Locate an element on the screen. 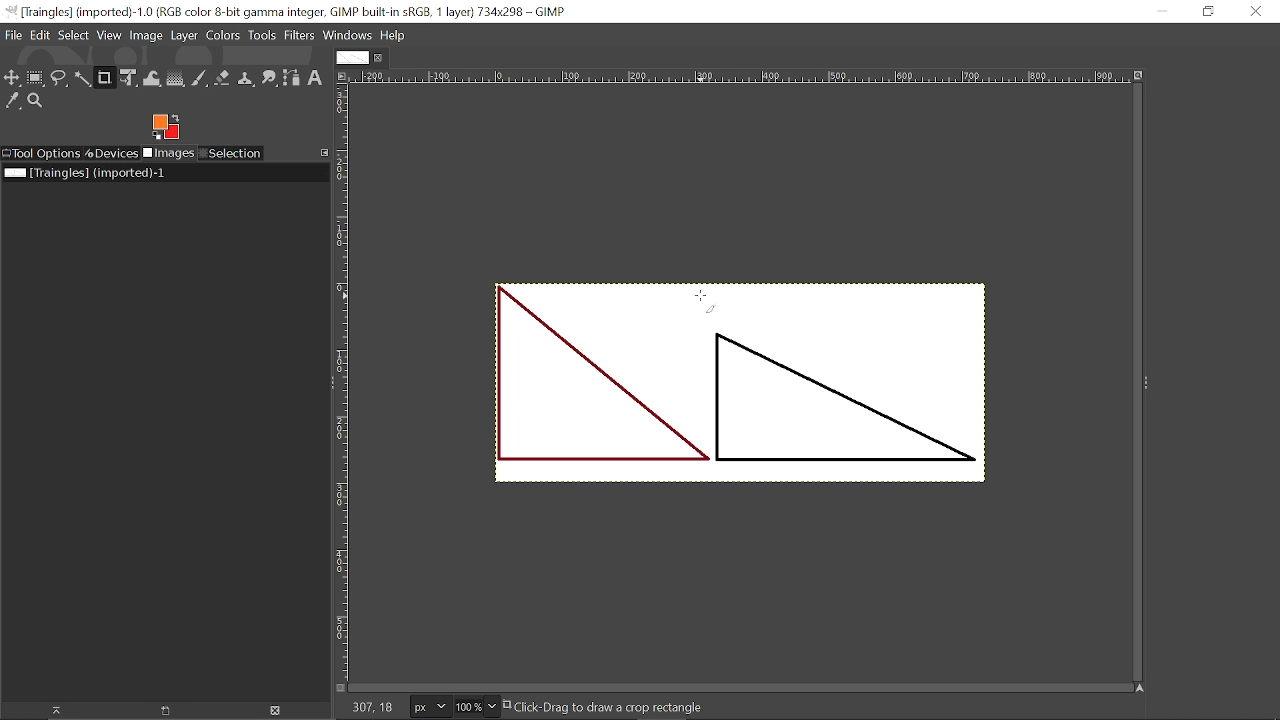 This screenshot has height=720, width=1280. Wrap text tool is located at coordinates (153, 78).